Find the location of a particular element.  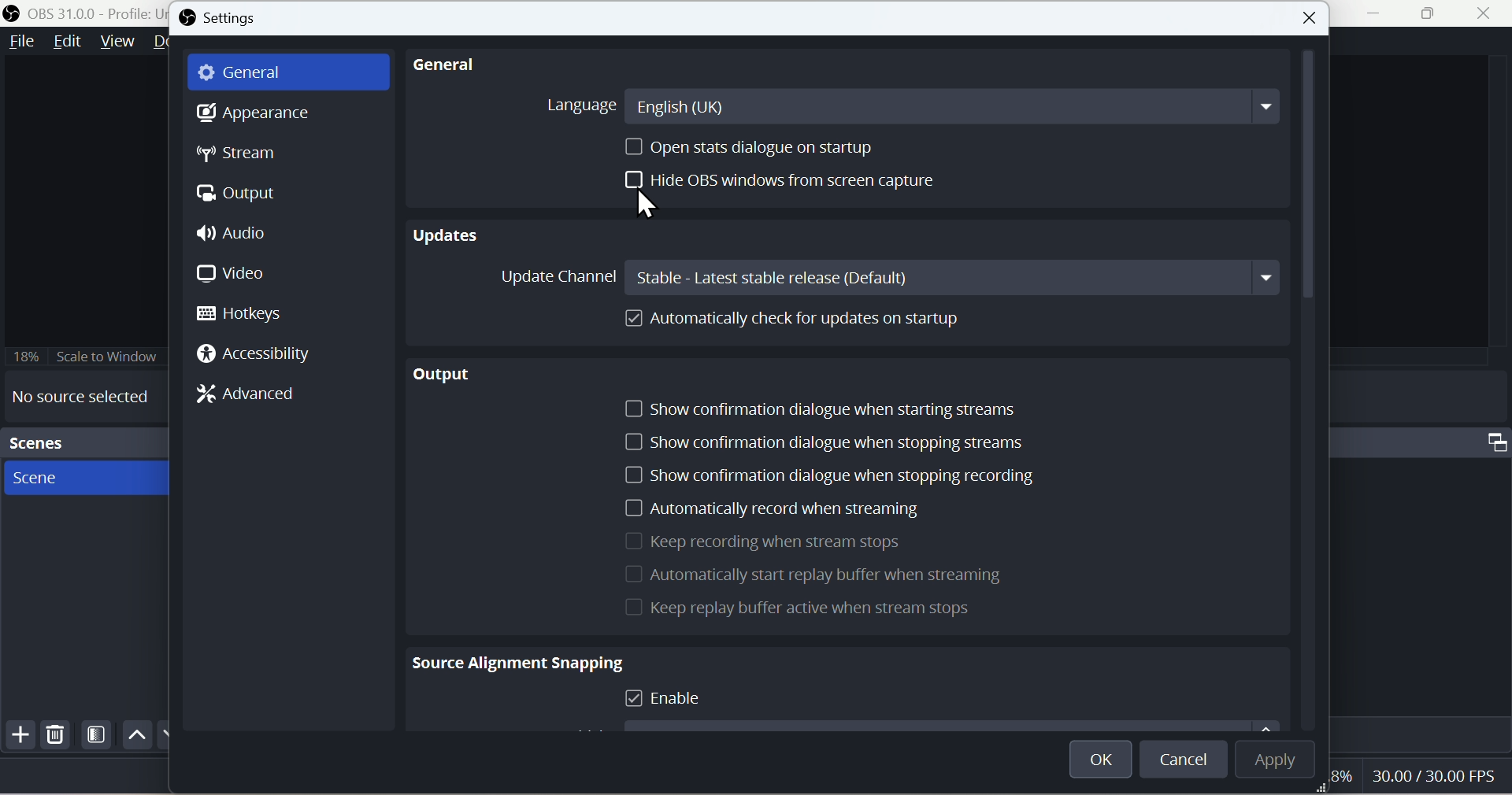

Apply is located at coordinates (1276, 761).